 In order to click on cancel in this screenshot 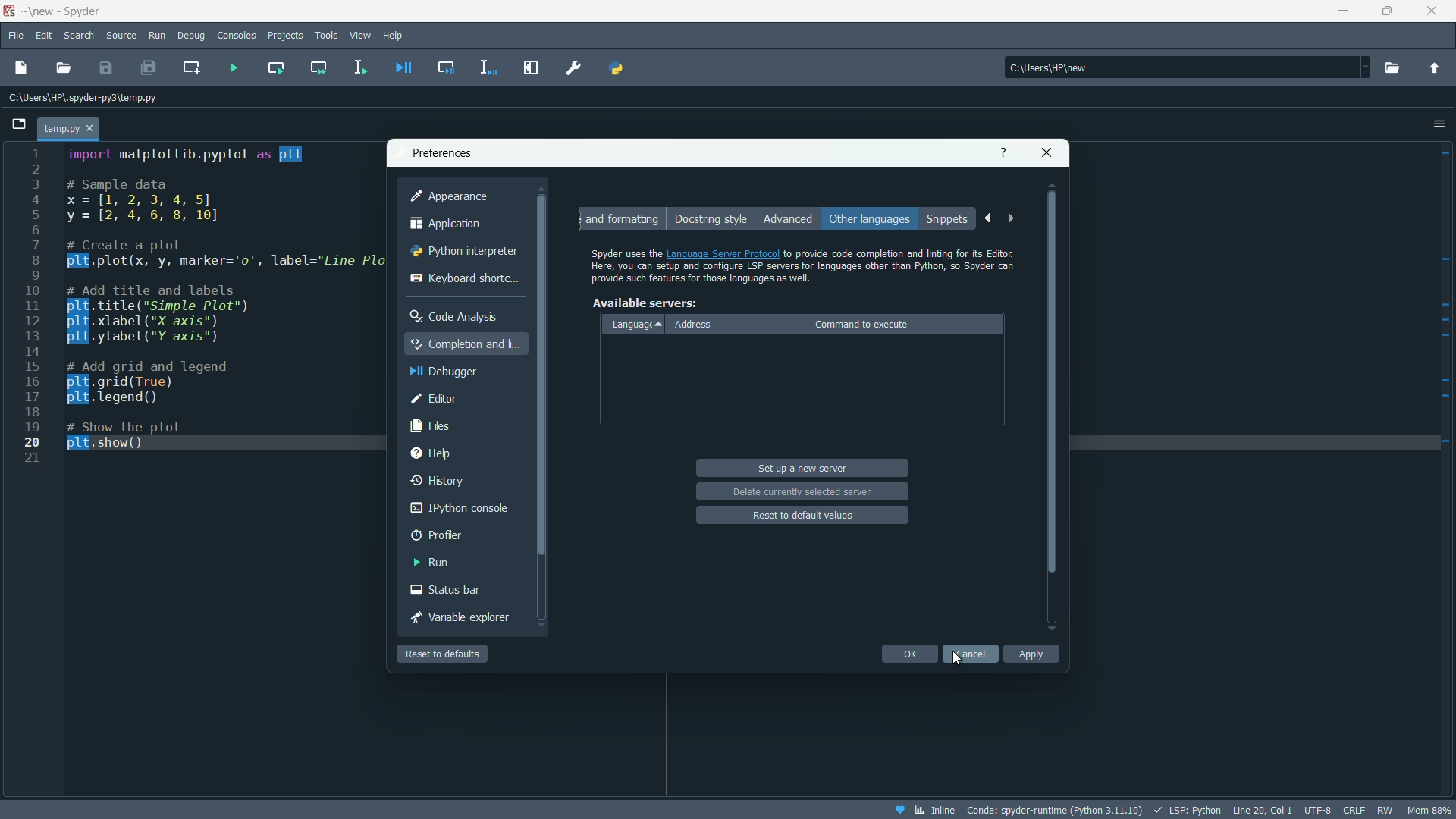, I will do `click(970, 653)`.